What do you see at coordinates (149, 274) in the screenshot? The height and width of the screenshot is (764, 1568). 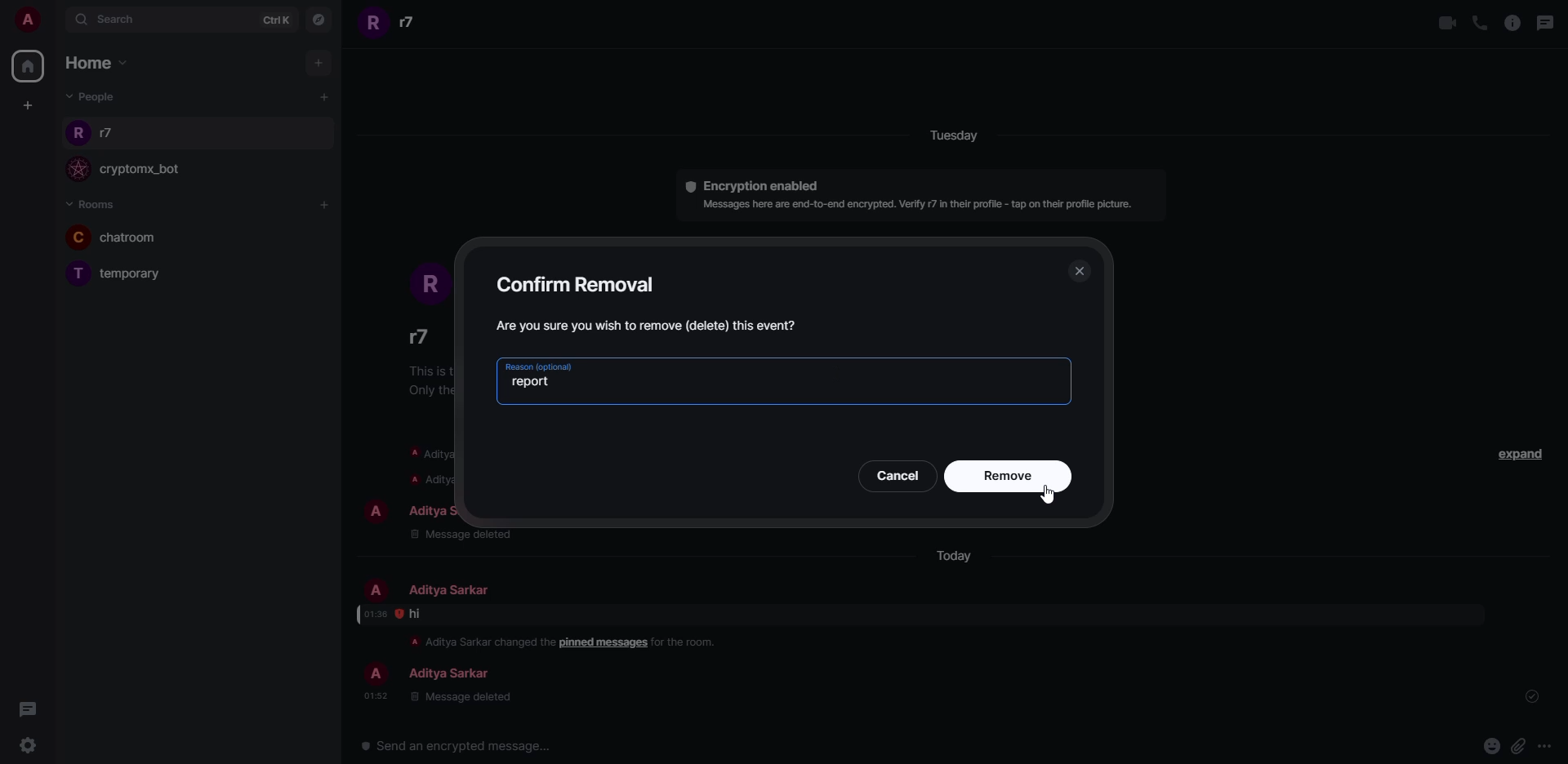 I see `room` at bounding box center [149, 274].